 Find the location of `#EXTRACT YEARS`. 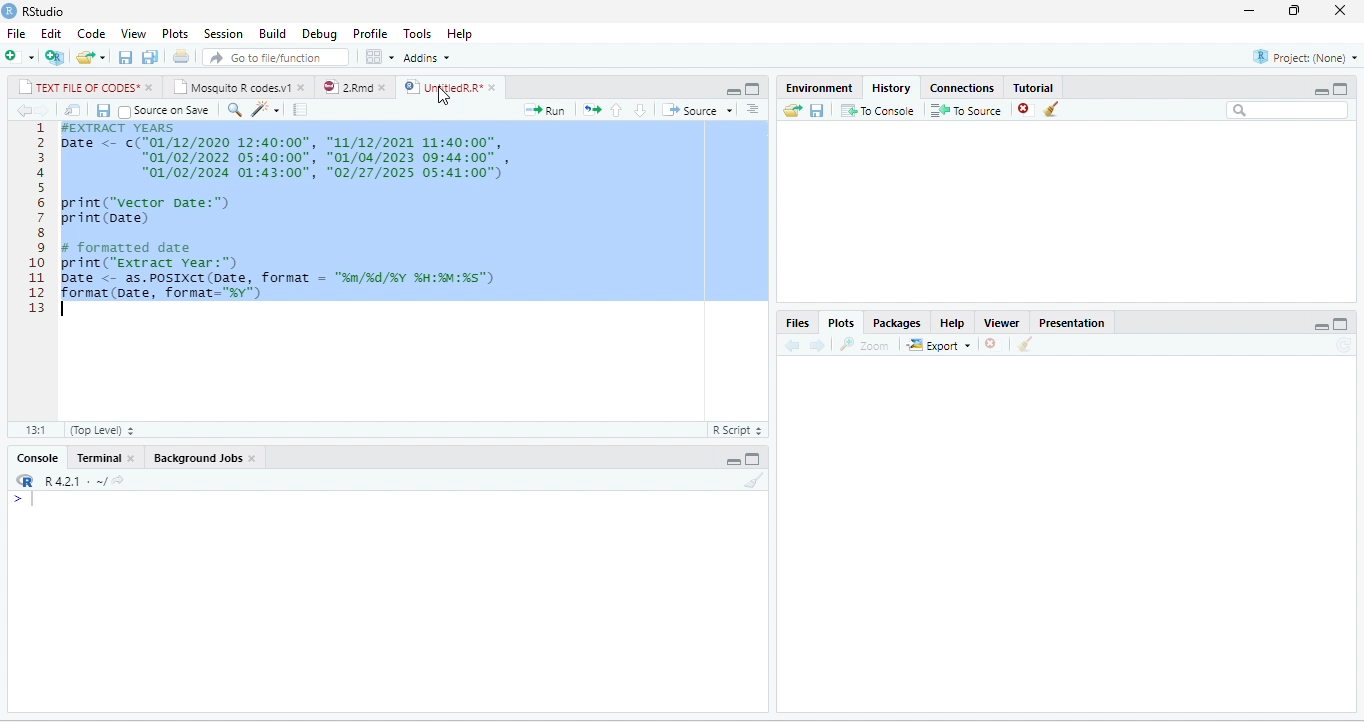

#EXTRACT YEARS is located at coordinates (115, 128).